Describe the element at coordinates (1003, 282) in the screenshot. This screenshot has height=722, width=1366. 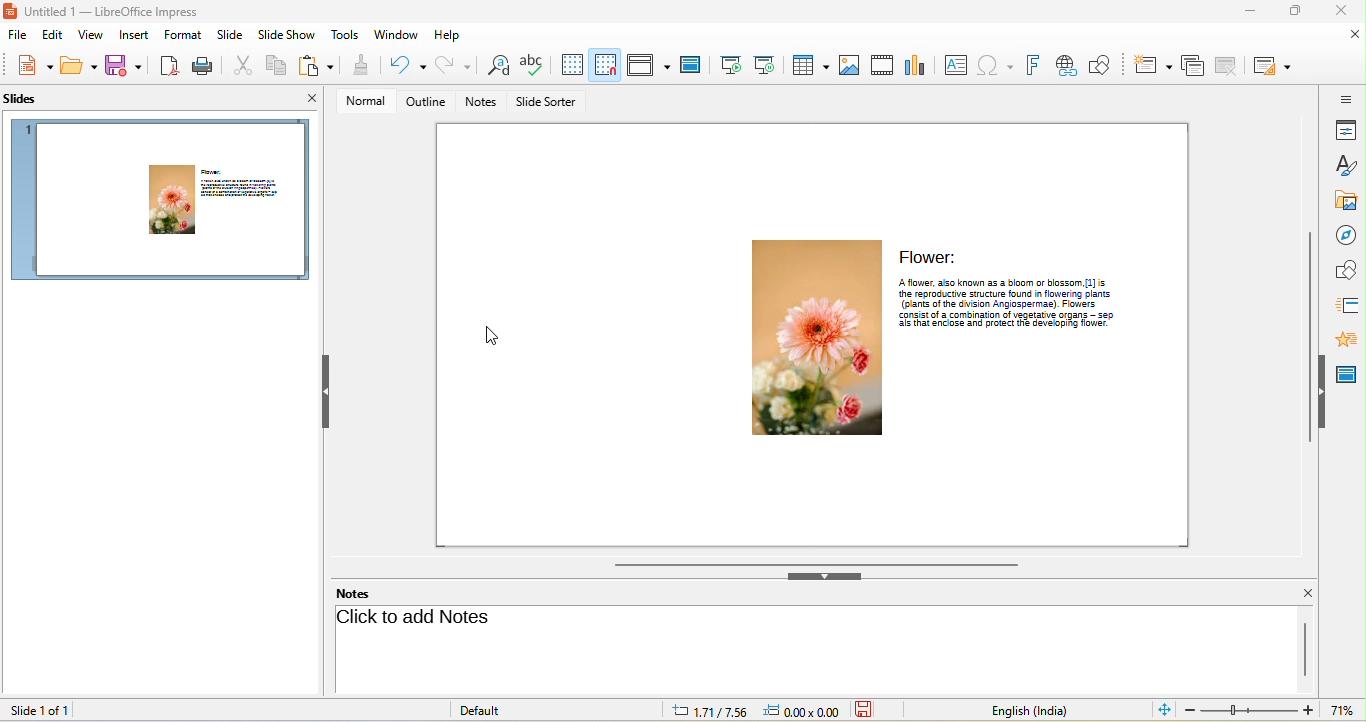
I see `"A flower, also known as a bloom or blossom, [1] is` at that location.